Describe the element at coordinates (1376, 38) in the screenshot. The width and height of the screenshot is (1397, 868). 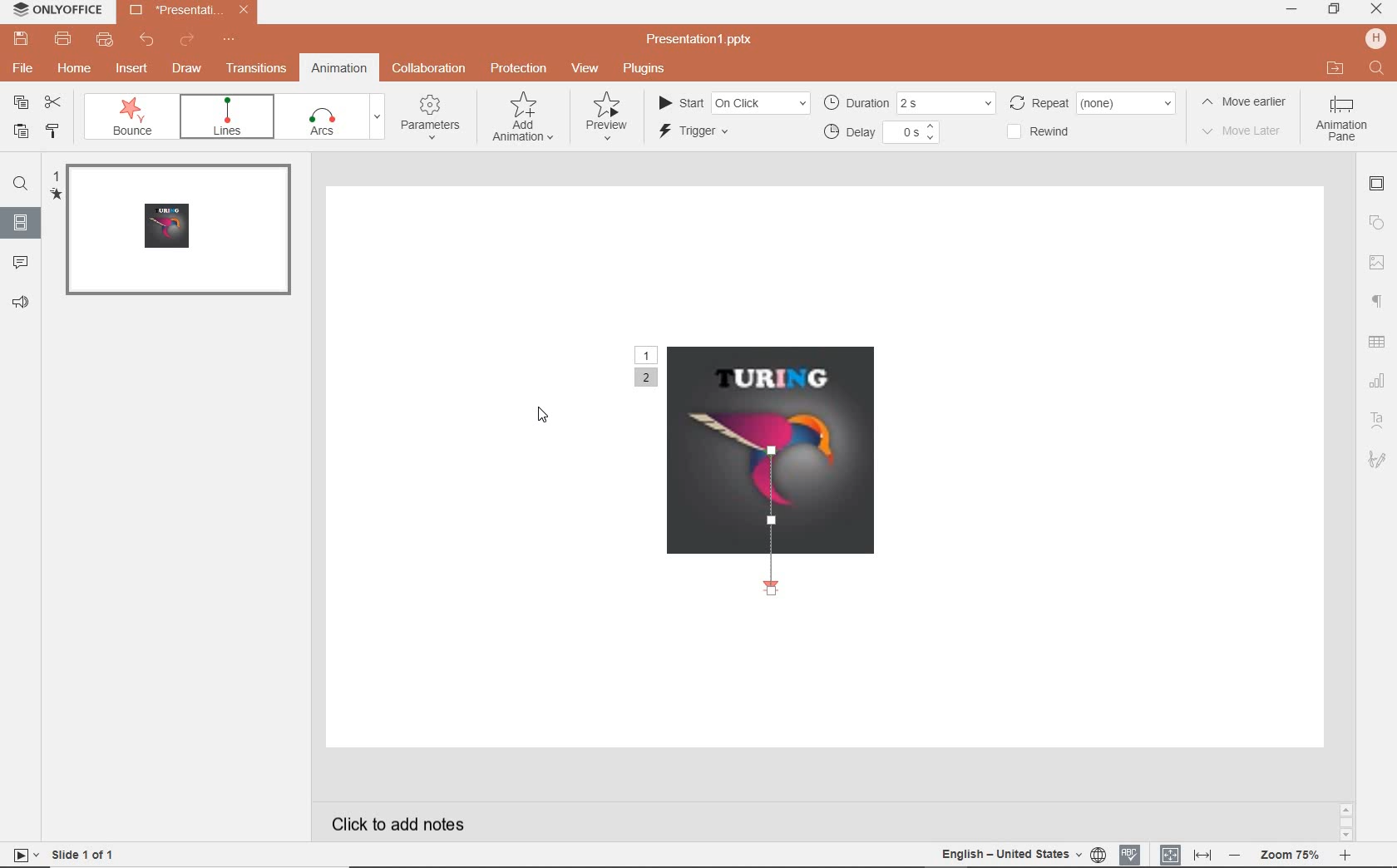
I see `hp` at that location.